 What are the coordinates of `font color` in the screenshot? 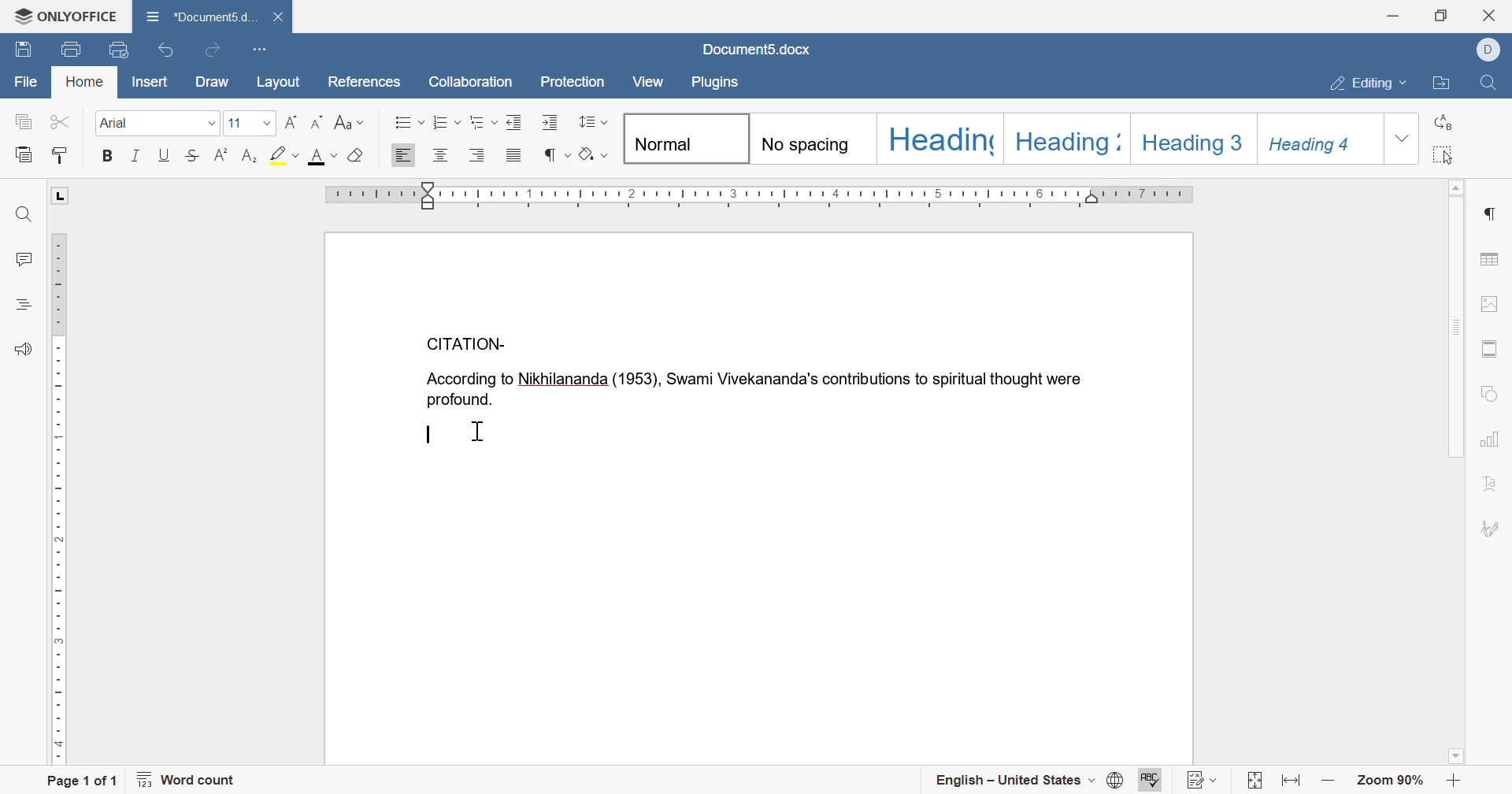 It's located at (322, 159).